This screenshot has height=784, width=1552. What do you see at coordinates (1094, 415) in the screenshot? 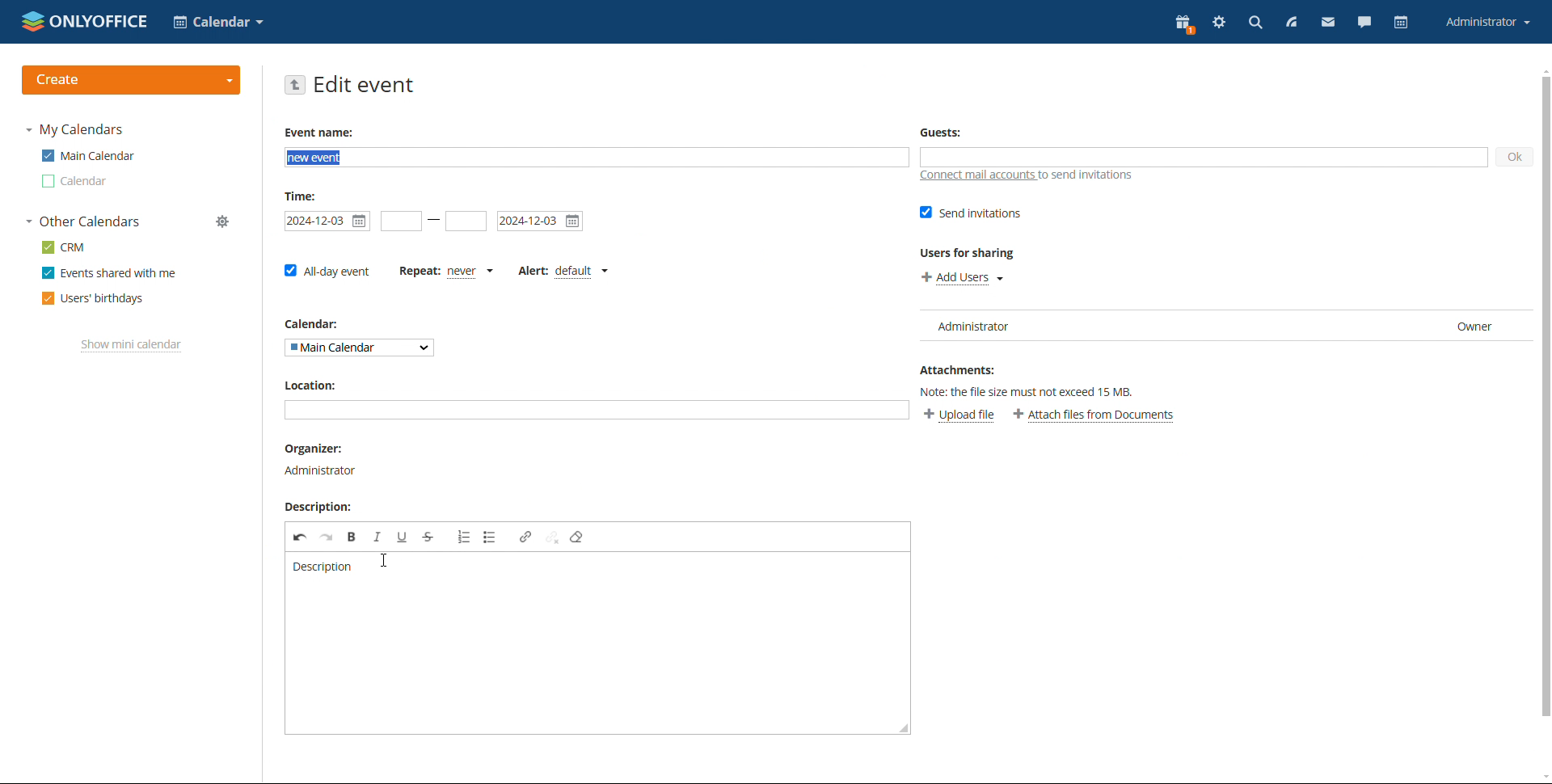
I see `attach file from documents` at bounding box center [1094, 415].